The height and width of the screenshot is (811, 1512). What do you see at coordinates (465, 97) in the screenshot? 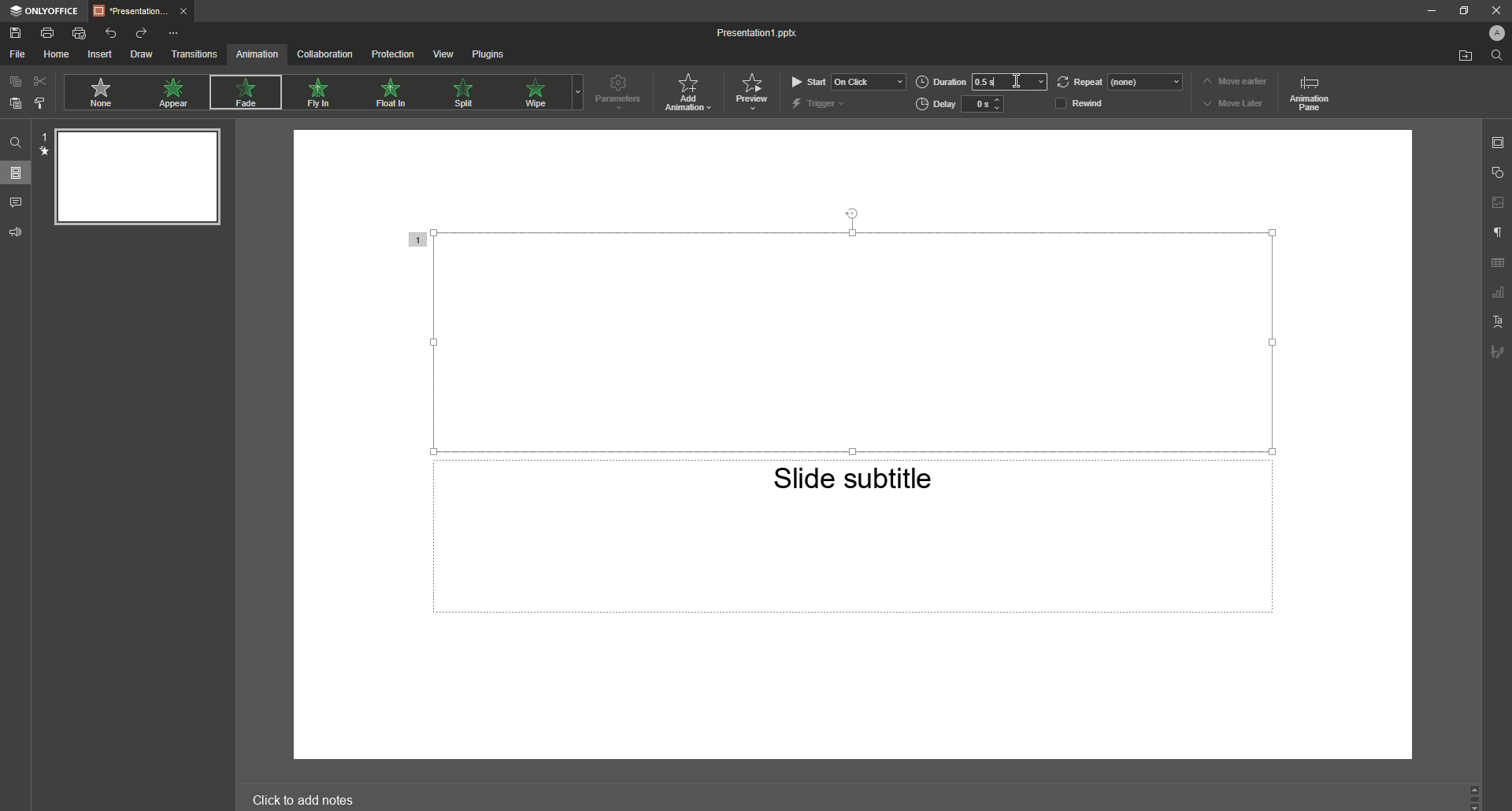
I see `Spill` at bounding box center [465, 97].